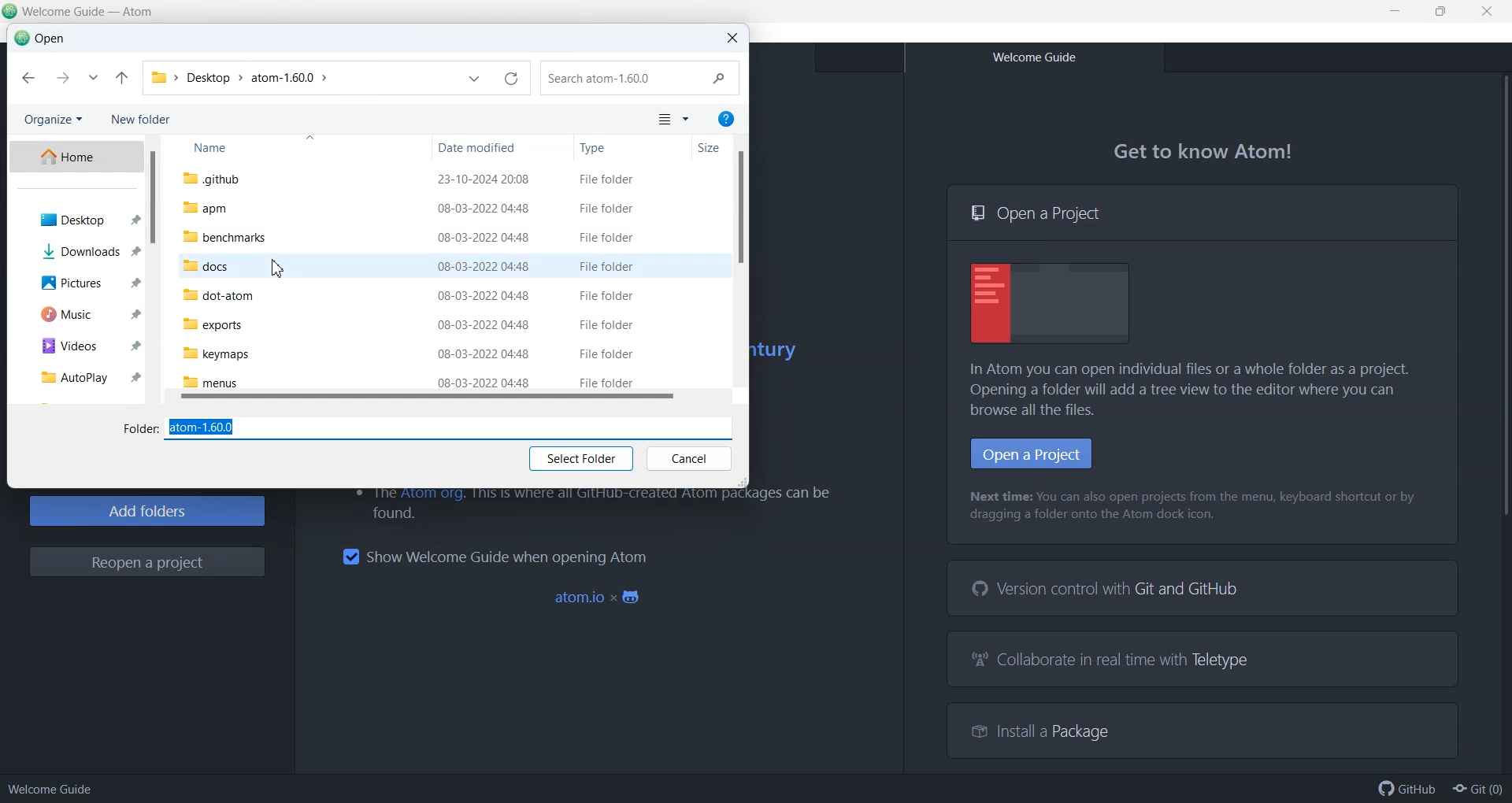 The image size is (1512, 803). Describe the element at coordinates (606, 382) in the screenshot. I see `File Folder` at that location.